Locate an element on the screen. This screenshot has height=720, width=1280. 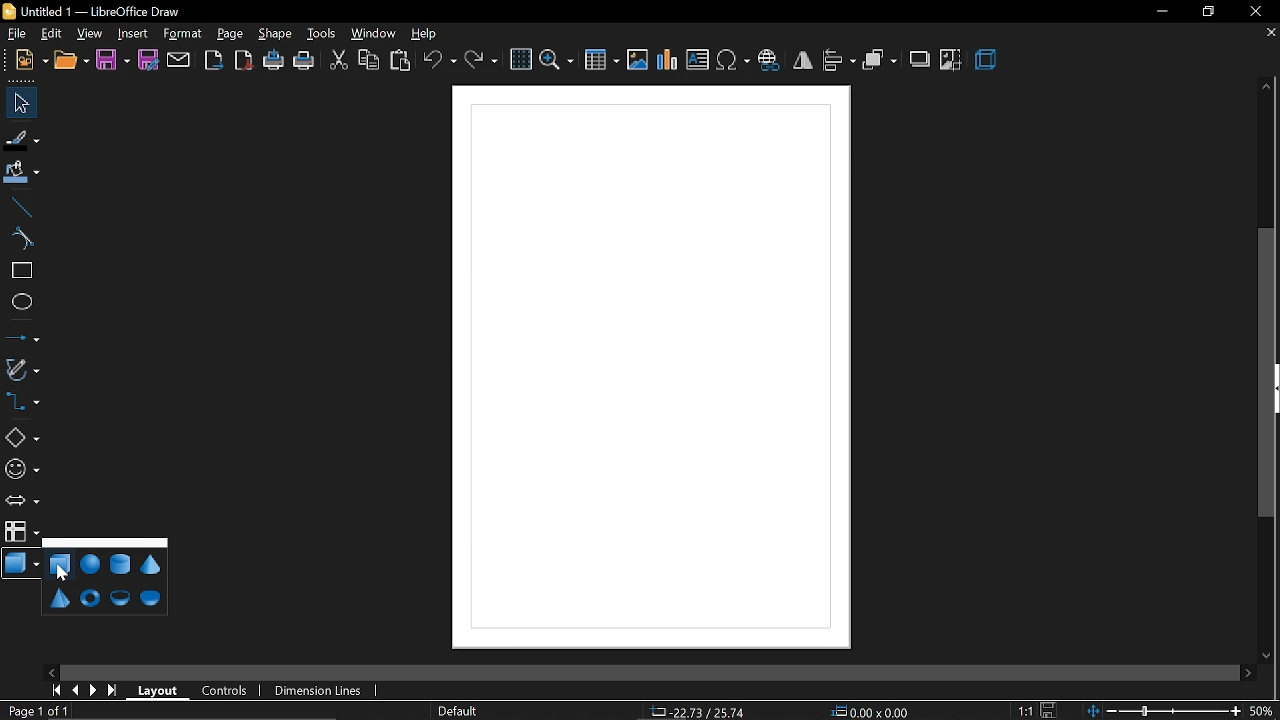
layout is located at coordinates (159, 690).